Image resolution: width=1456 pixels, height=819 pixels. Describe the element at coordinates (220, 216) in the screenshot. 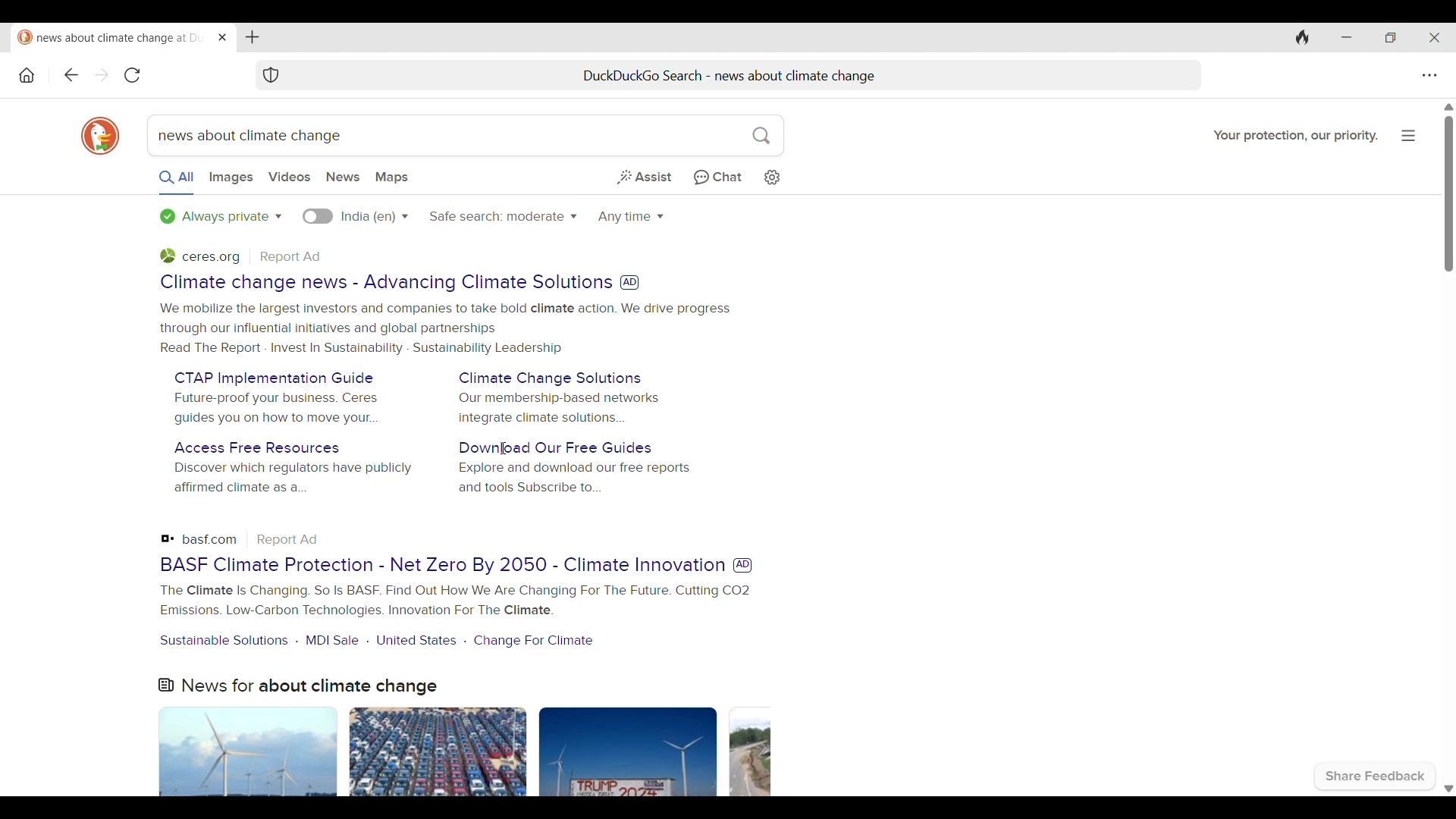

I see `Privacy options` at that location.